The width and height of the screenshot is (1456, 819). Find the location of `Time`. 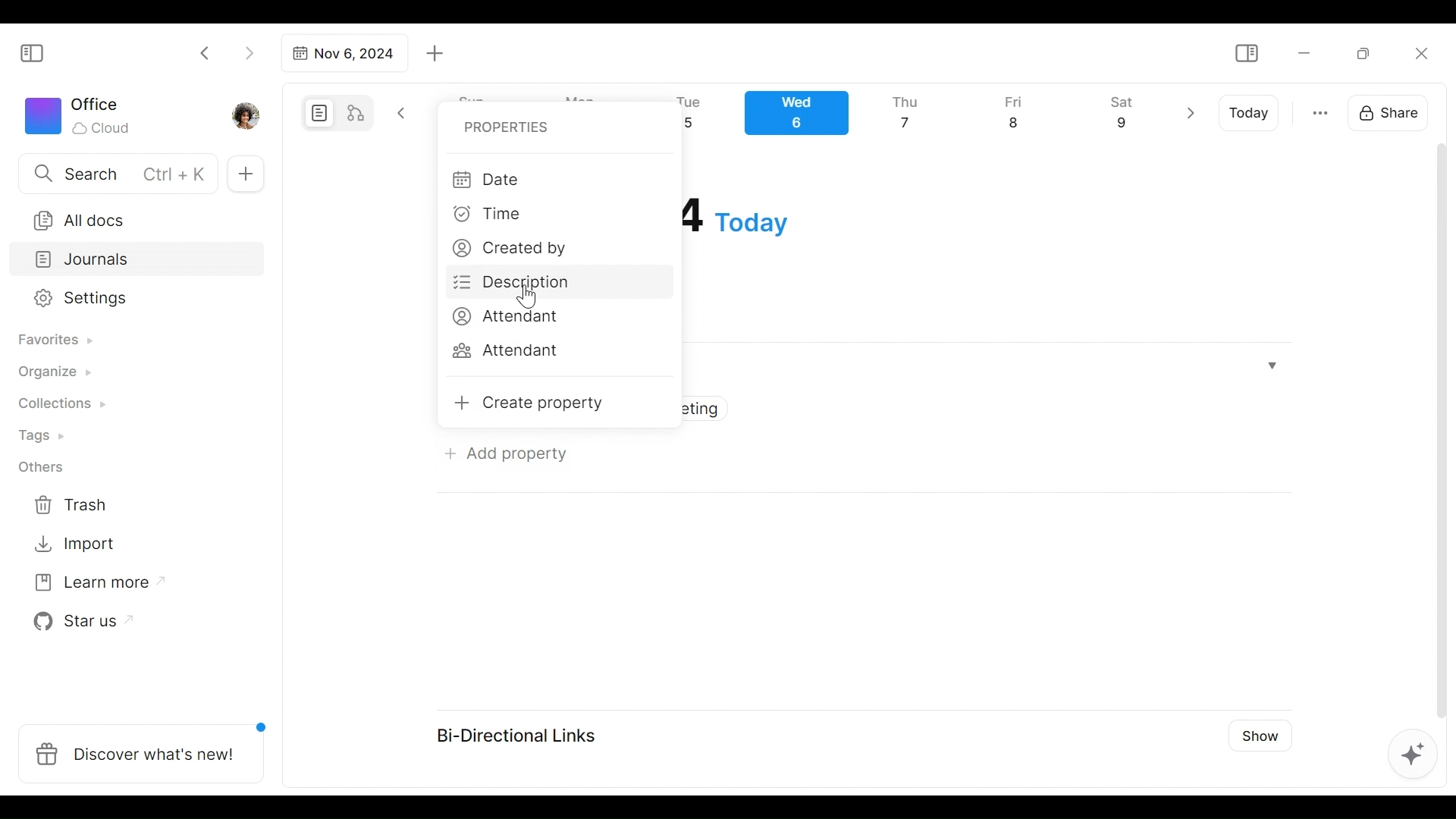

Time is located at coordinates (488, 216).